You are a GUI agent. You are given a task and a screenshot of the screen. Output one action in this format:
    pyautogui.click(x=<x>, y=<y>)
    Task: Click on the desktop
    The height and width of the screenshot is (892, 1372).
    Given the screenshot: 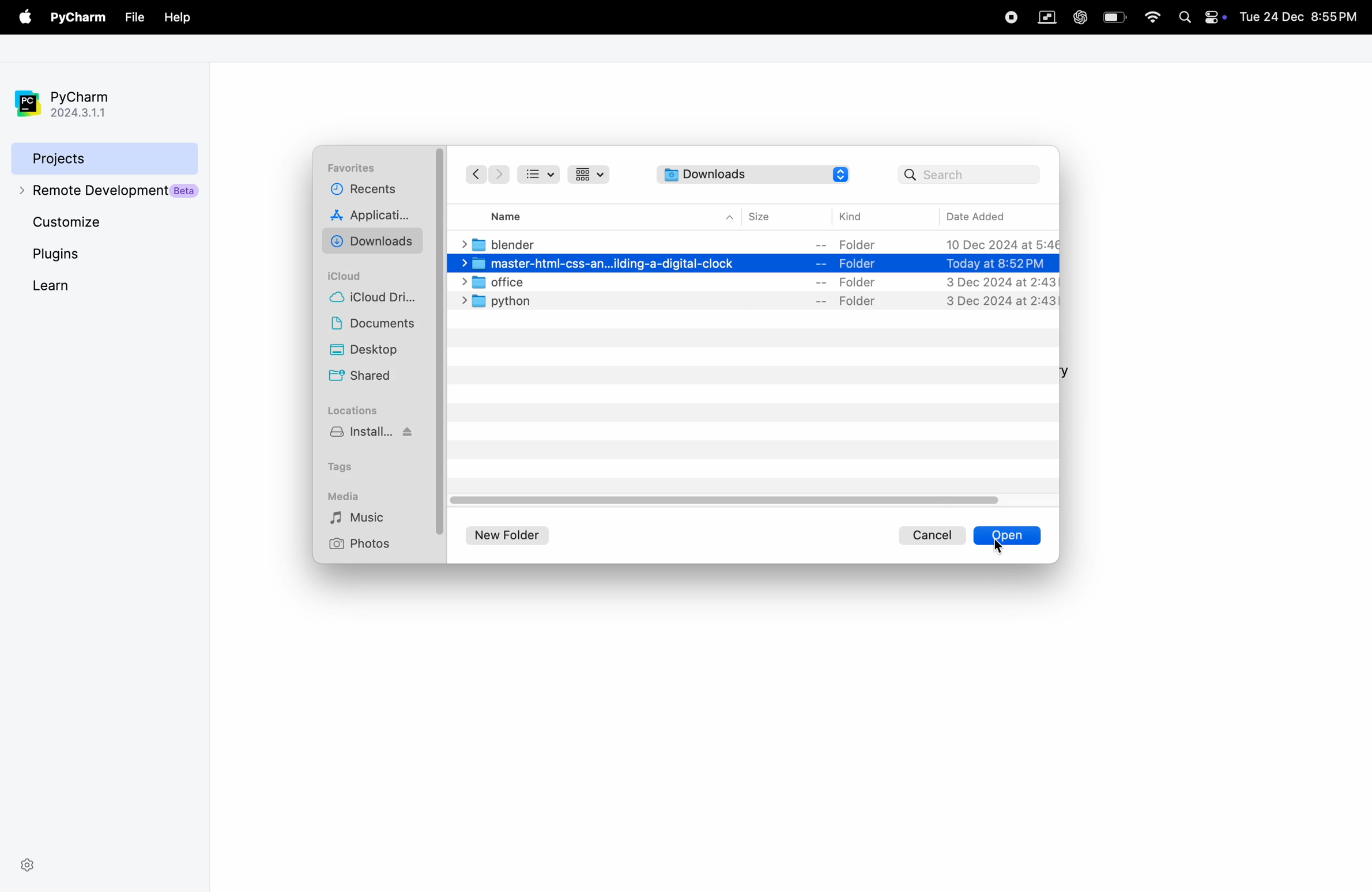 What is the action you would take?
    pyautogui.click(x=378, y=351)
    